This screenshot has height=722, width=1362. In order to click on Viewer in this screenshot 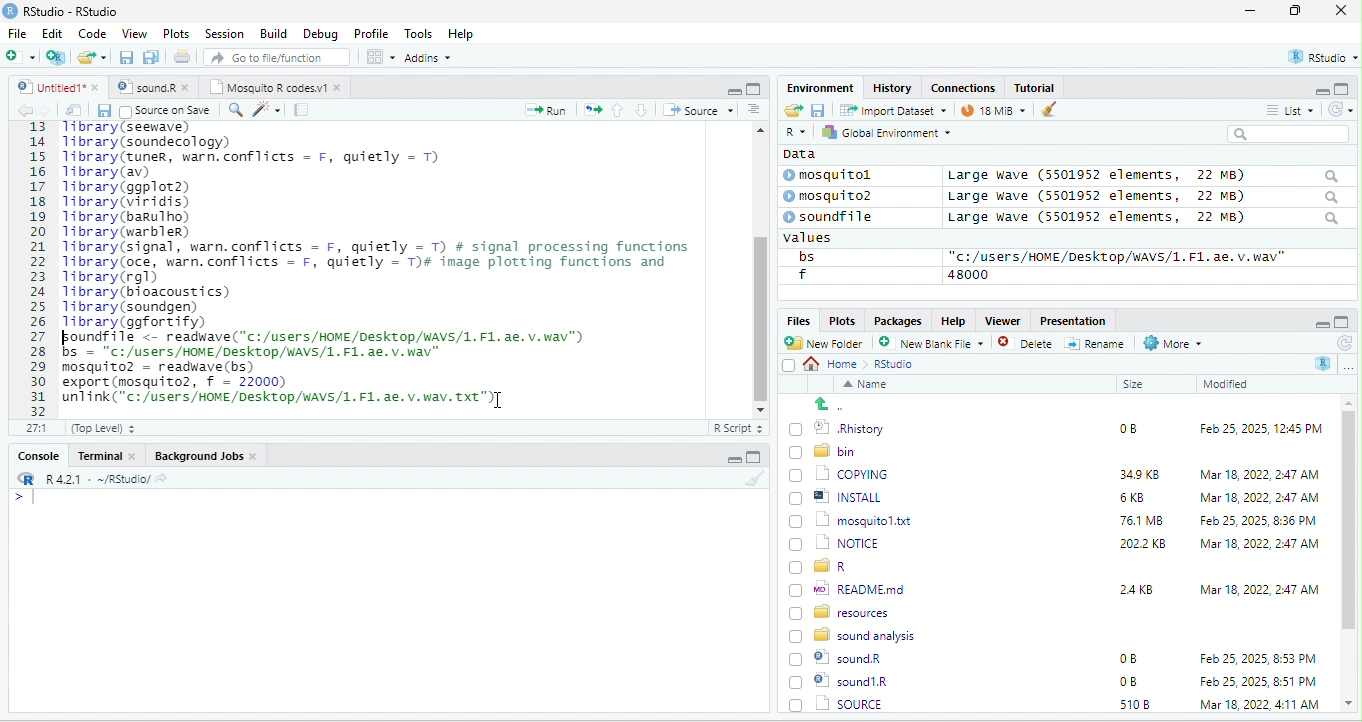, I will do `click(1000, 321)`.